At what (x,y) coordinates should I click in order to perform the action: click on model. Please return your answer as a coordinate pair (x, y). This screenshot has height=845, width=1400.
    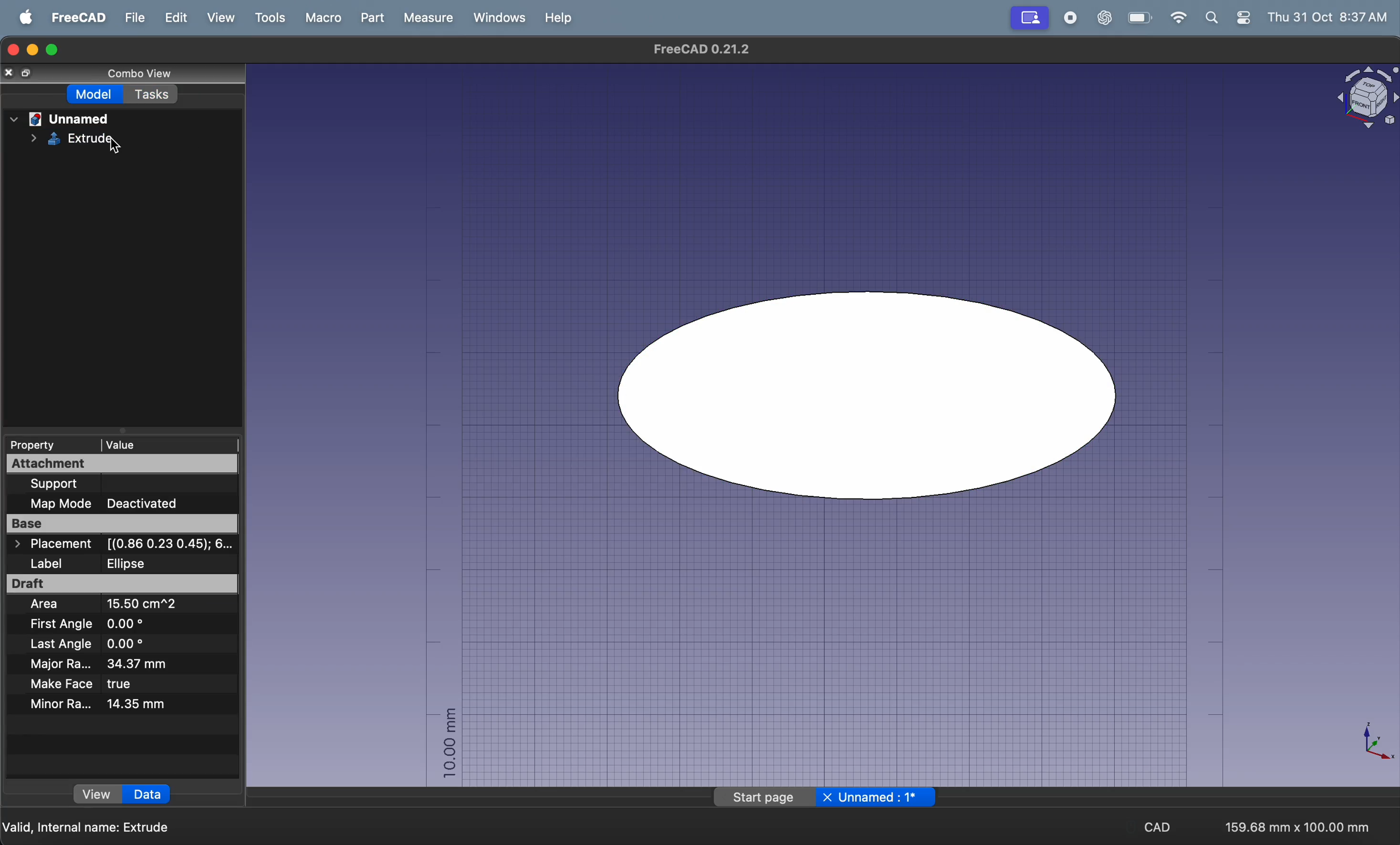
    Looking at the image, I should click on (92, 97).